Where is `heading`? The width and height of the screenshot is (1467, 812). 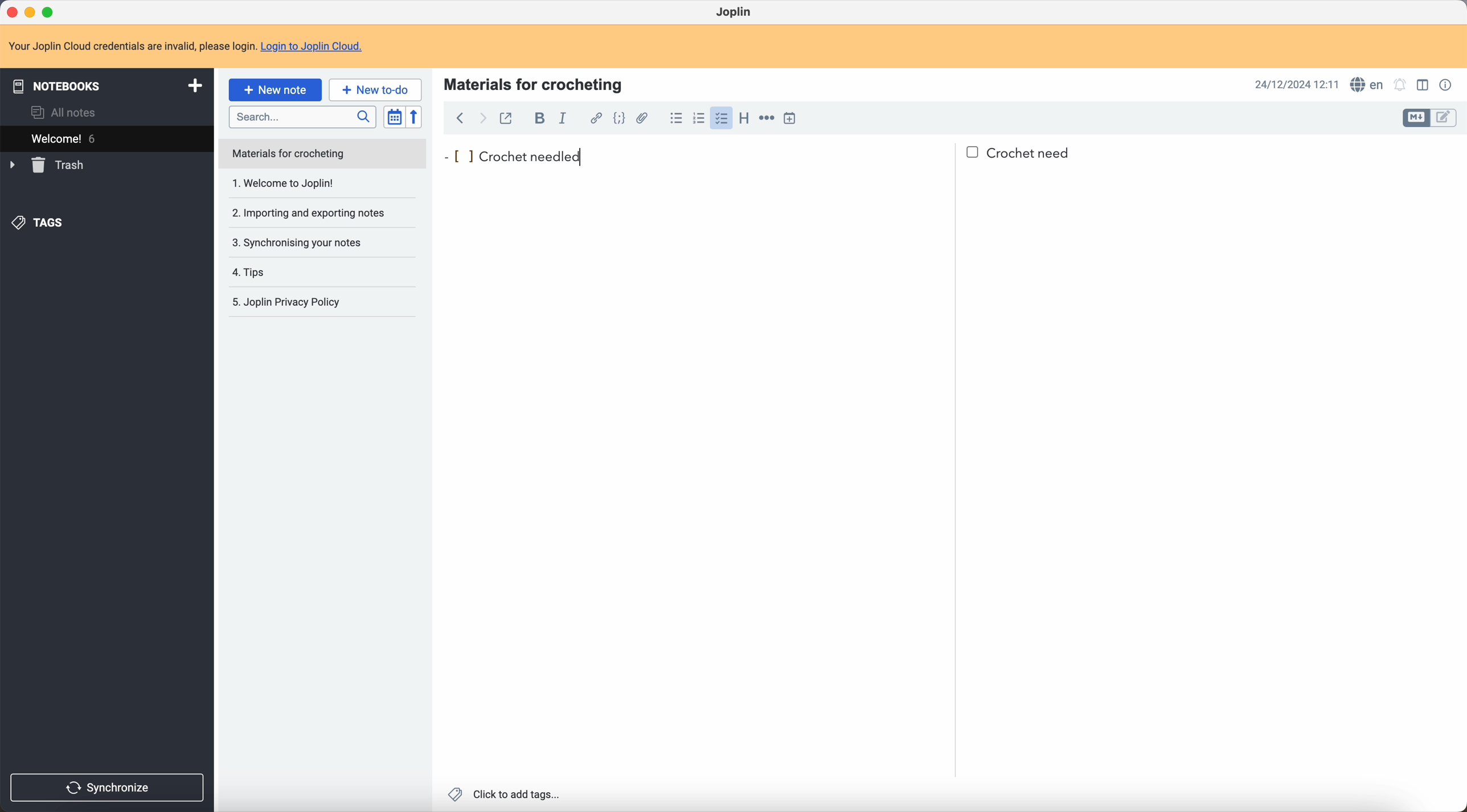
heading is located at coordinates (743, 118).